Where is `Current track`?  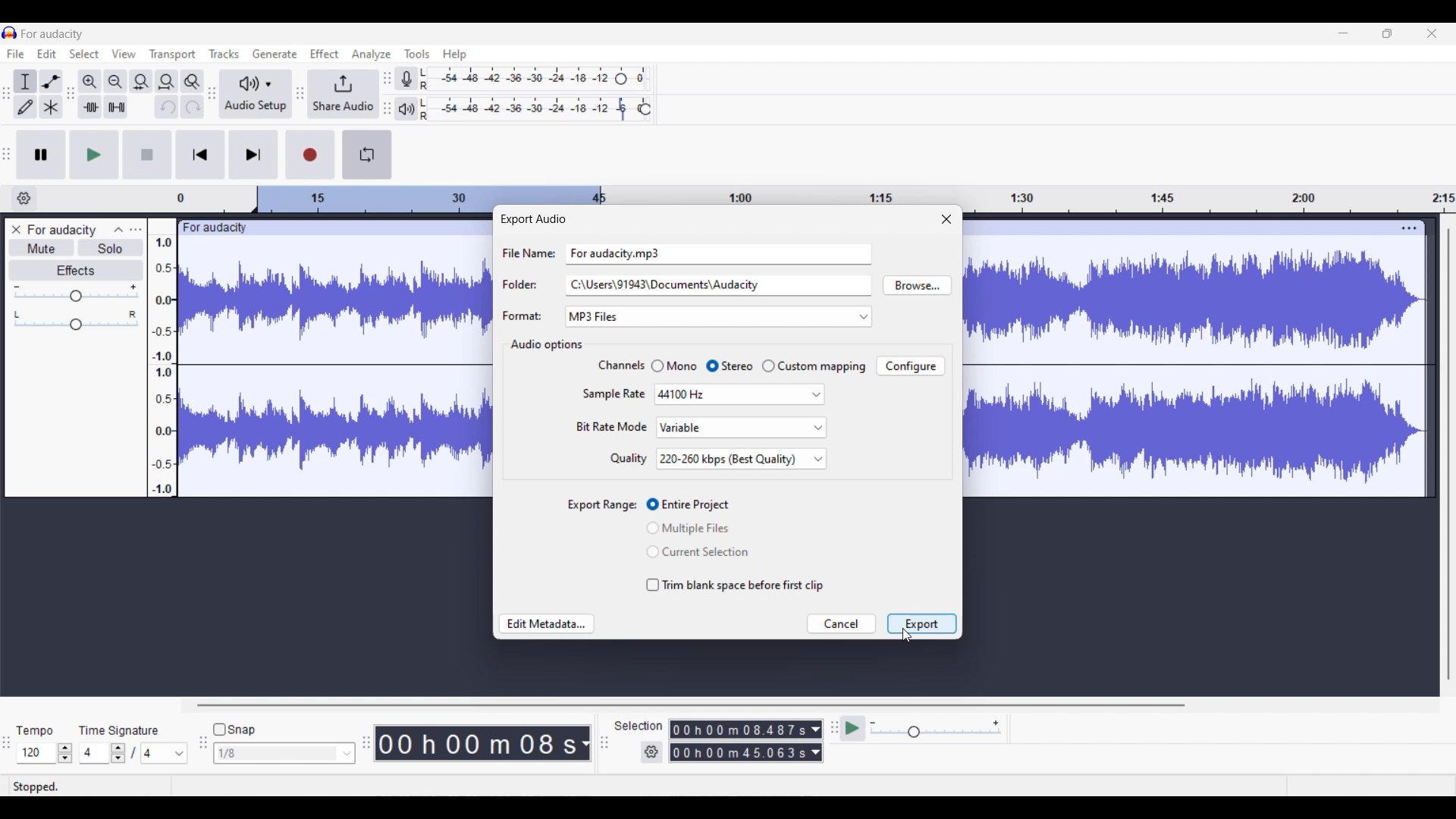
Current track is located at coordinates (1181, 359).